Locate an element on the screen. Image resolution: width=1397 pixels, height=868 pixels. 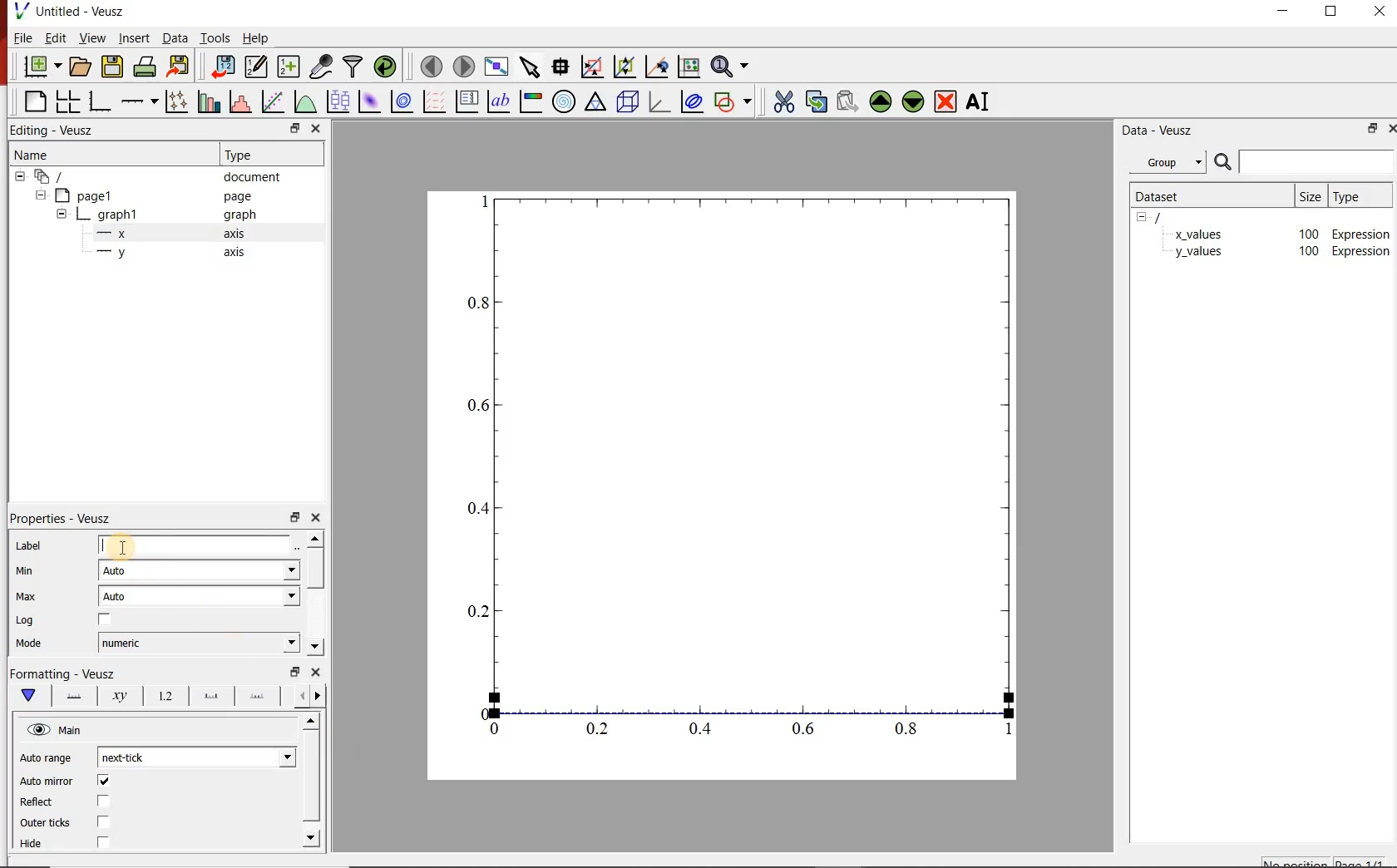
move down is located at coordinates (314, 646).